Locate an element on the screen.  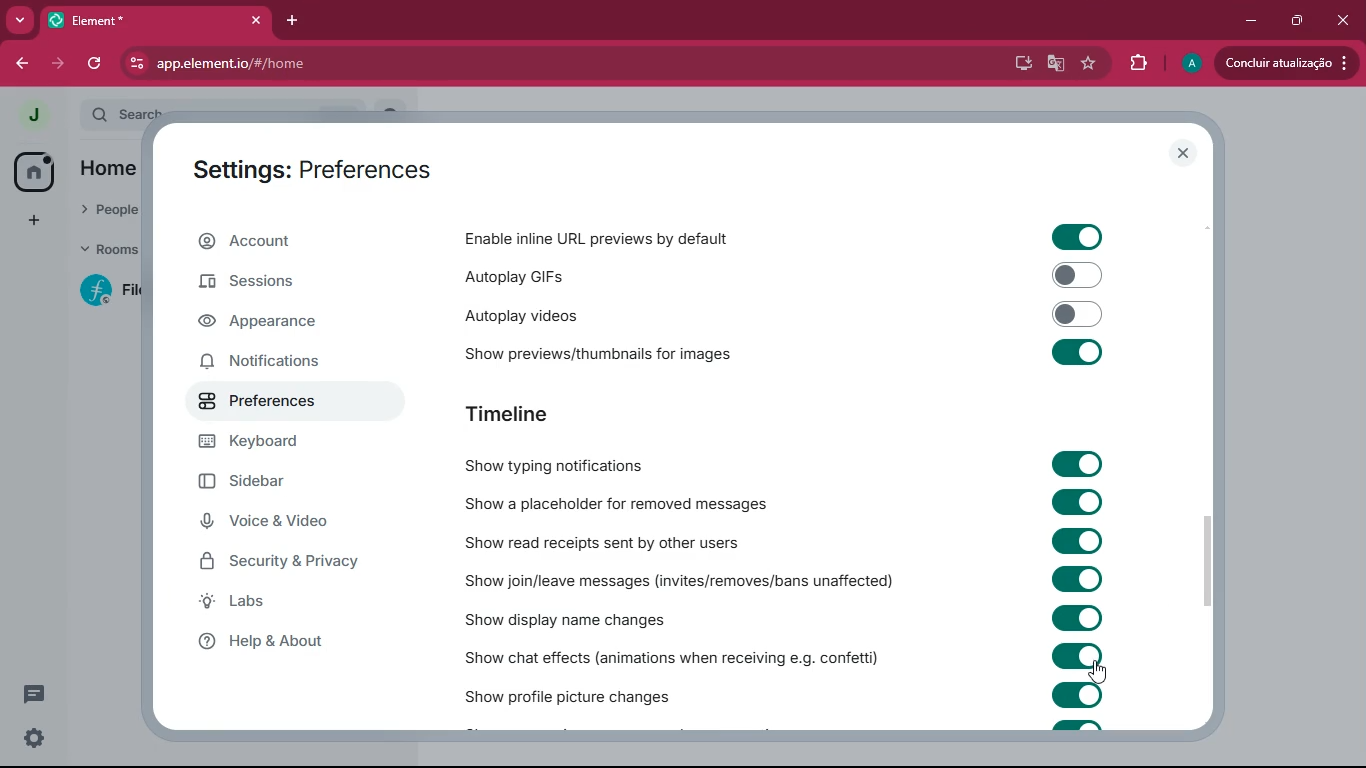
minimize is located at coordinates (1246, 21).